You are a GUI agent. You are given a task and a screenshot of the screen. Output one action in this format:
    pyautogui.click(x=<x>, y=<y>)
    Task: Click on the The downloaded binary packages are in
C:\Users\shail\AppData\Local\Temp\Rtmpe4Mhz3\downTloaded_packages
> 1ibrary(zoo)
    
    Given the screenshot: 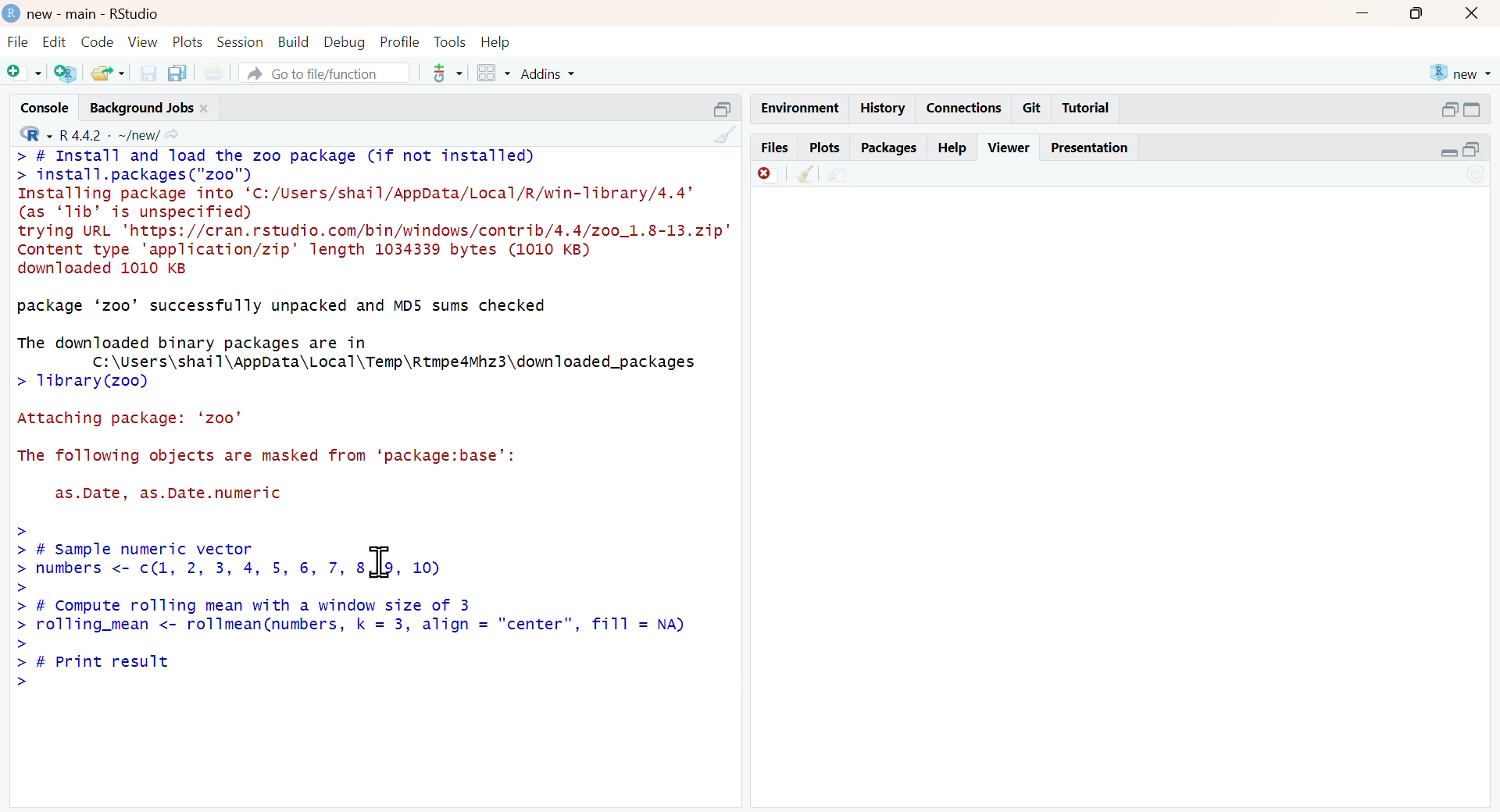 What is the action you would take?
    pyautogui.click(x=359, y=364)
    